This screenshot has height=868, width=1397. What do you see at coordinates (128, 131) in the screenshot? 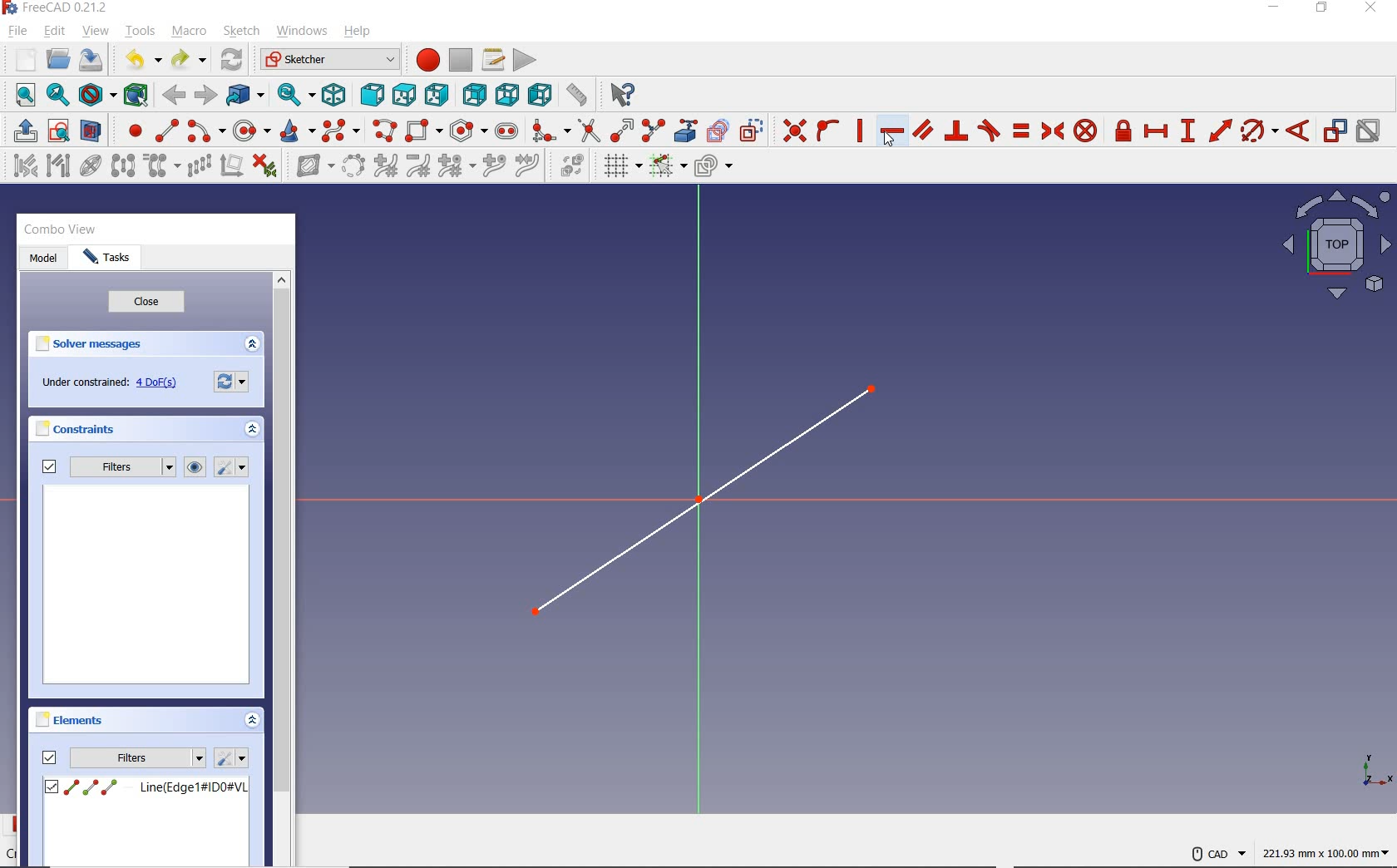
I see `CREATE POINT` at bounding box center [128, 131].